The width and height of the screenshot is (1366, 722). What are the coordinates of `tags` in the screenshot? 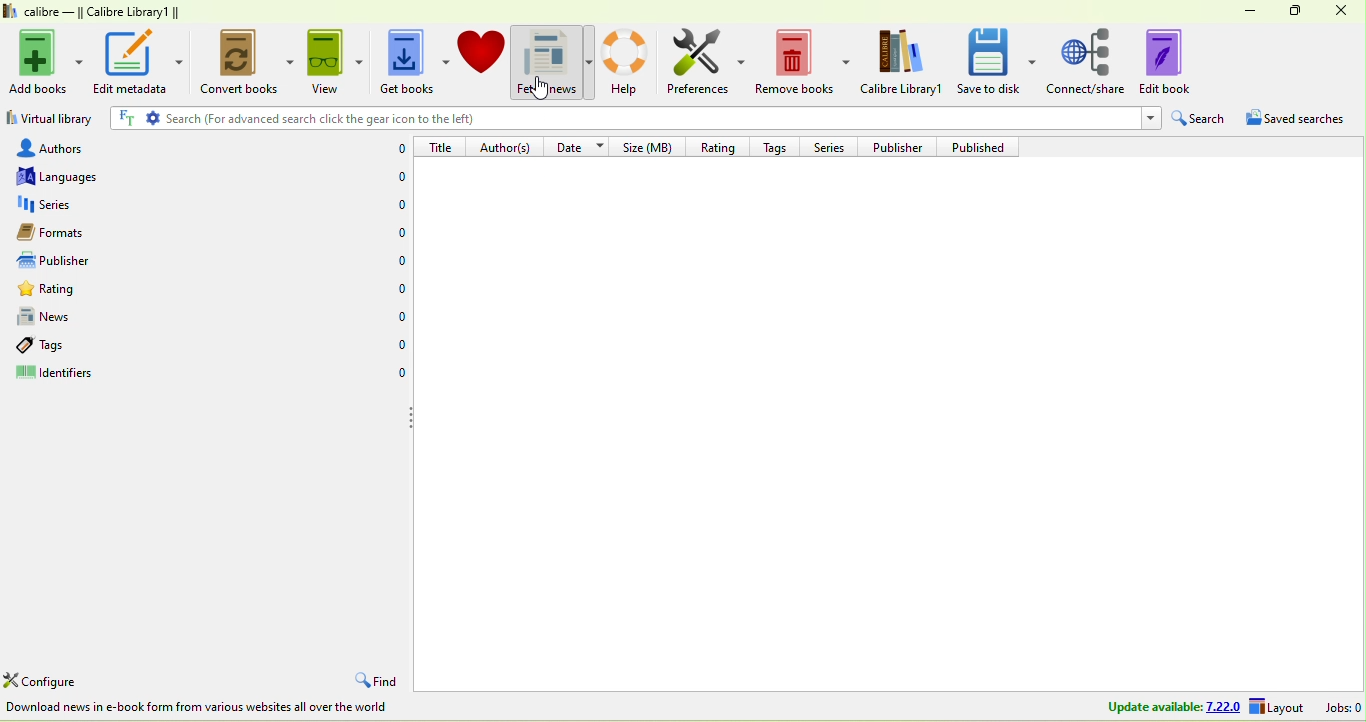 It's located at (777, 146).